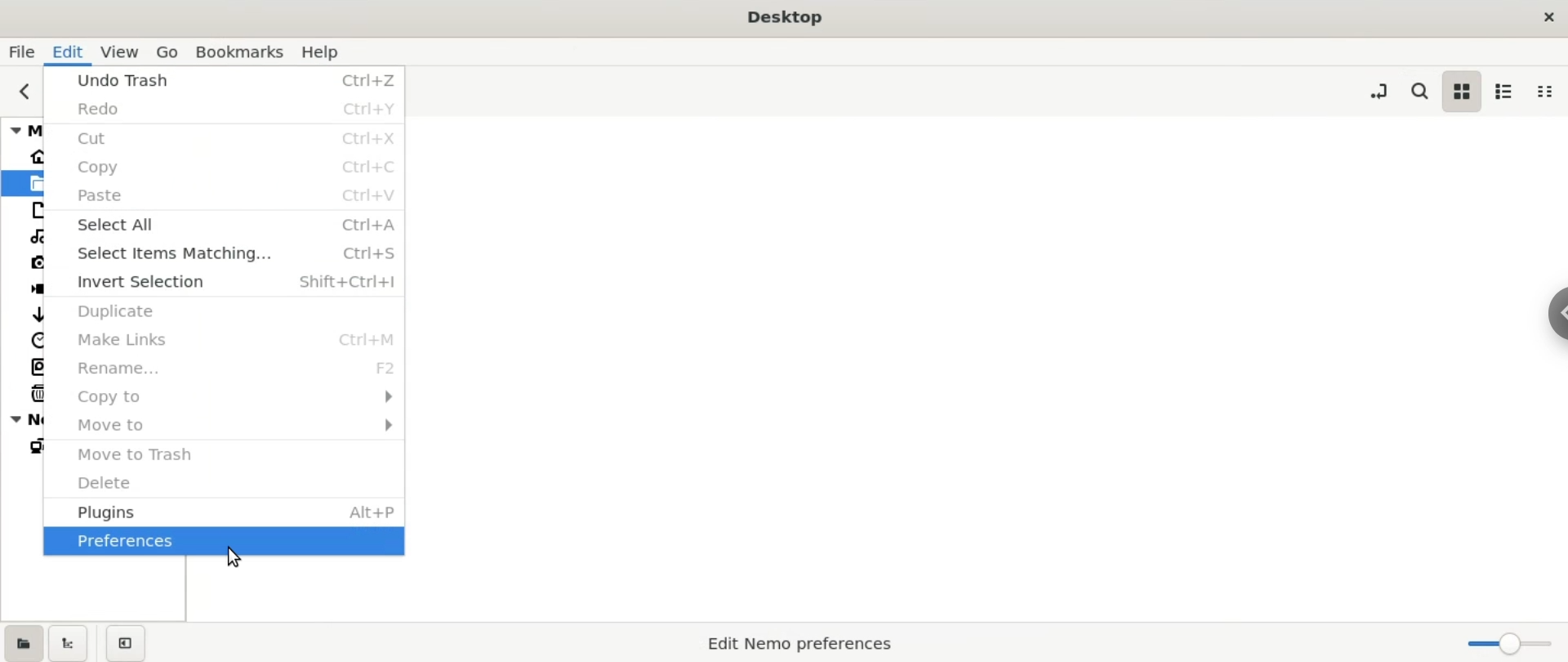 This screenshot has height=662, width=1568. I want to click on show treeview, so click(71, 644).